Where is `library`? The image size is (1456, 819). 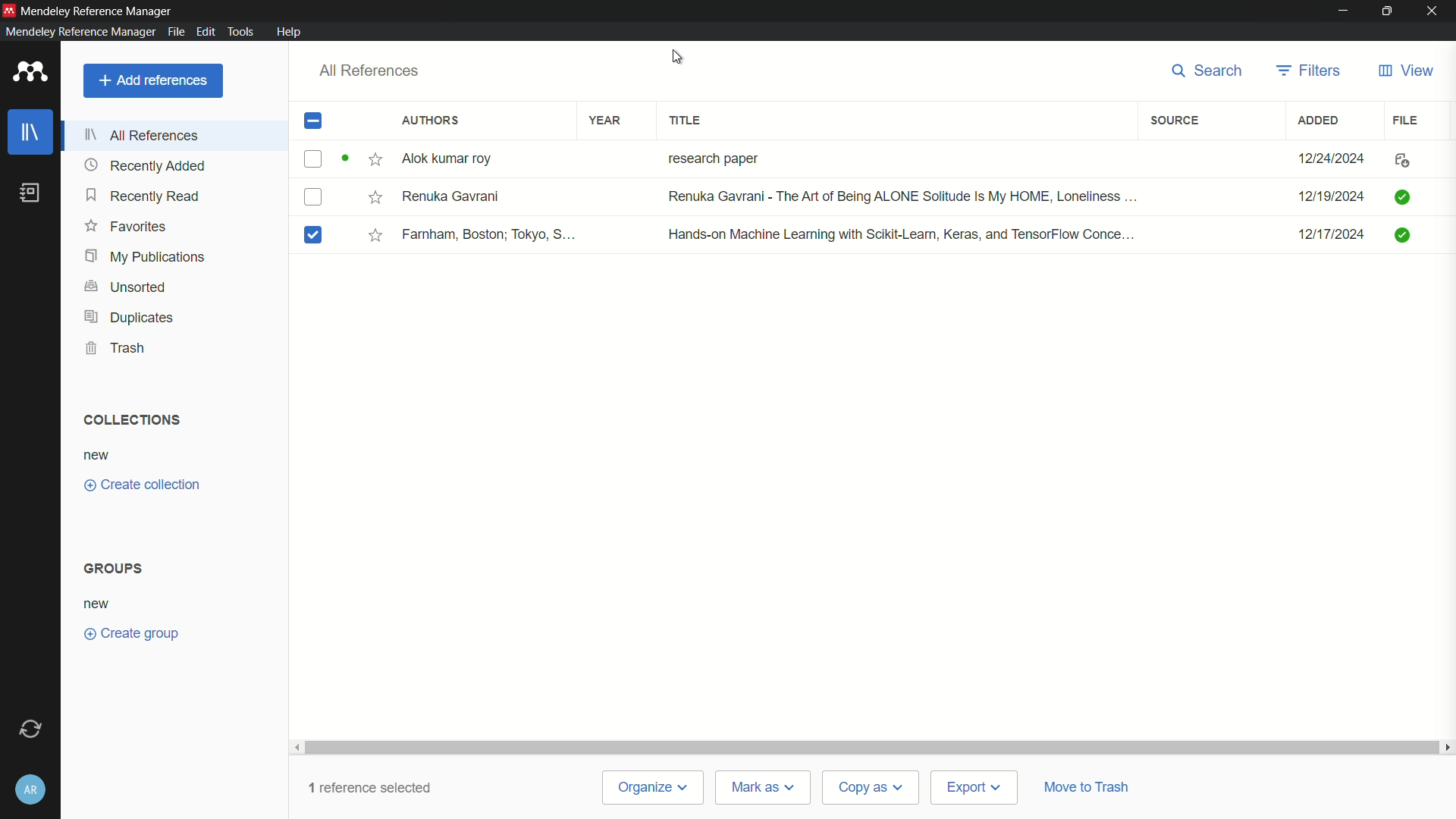
library is located at coordinates (31, 133).